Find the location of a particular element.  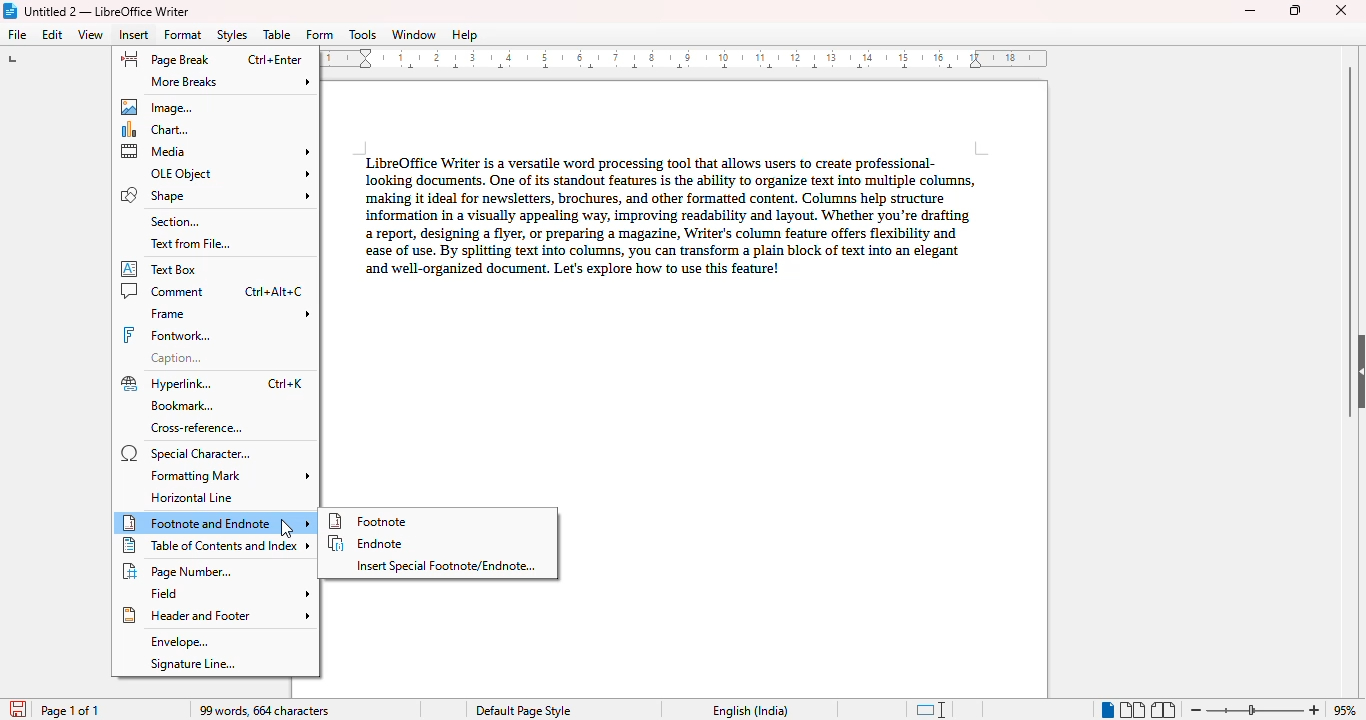

frame is located at coordinates (228, 313).